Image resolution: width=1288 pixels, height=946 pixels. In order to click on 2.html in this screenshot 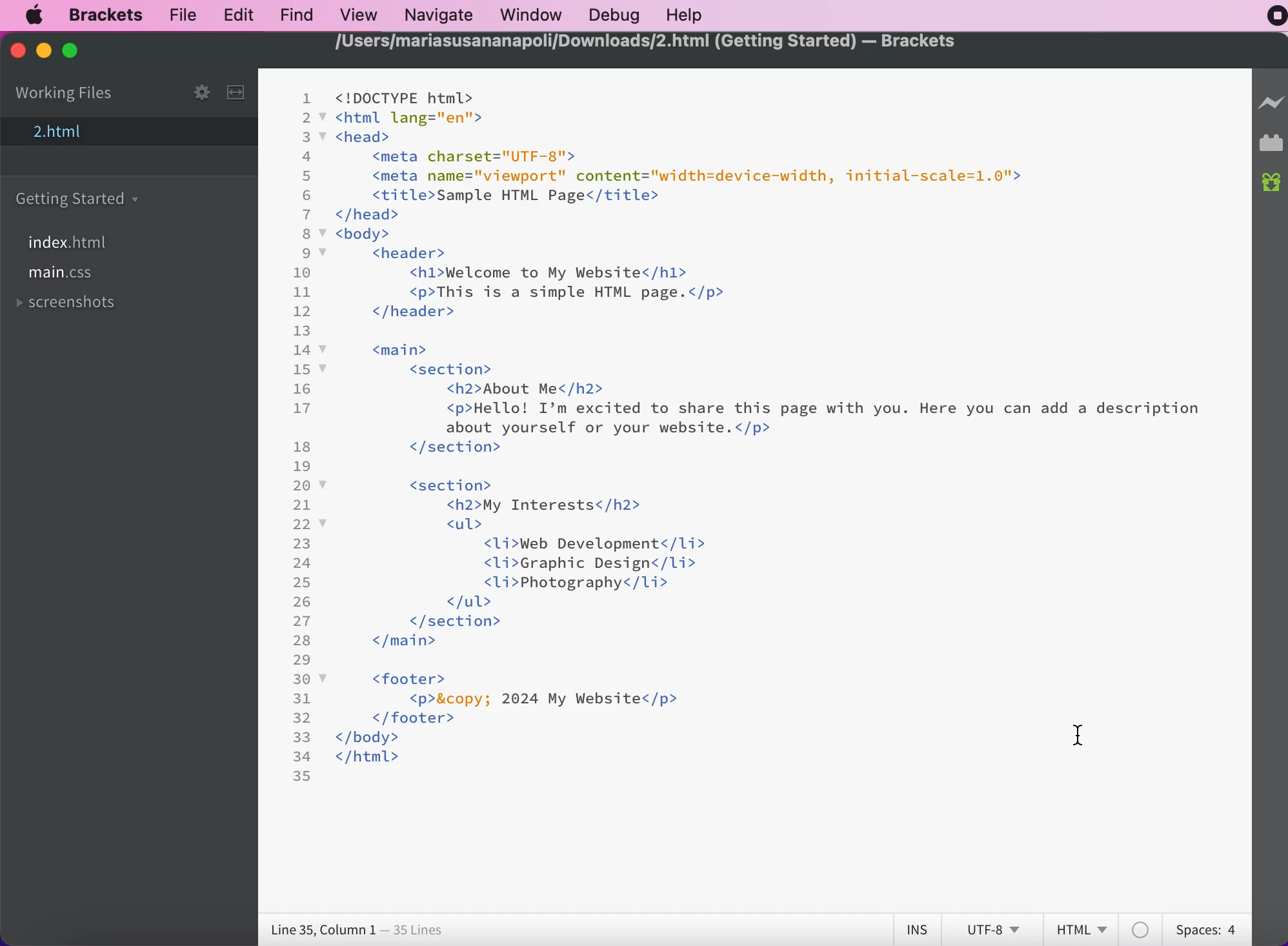, I will do `click(127, 134)`.